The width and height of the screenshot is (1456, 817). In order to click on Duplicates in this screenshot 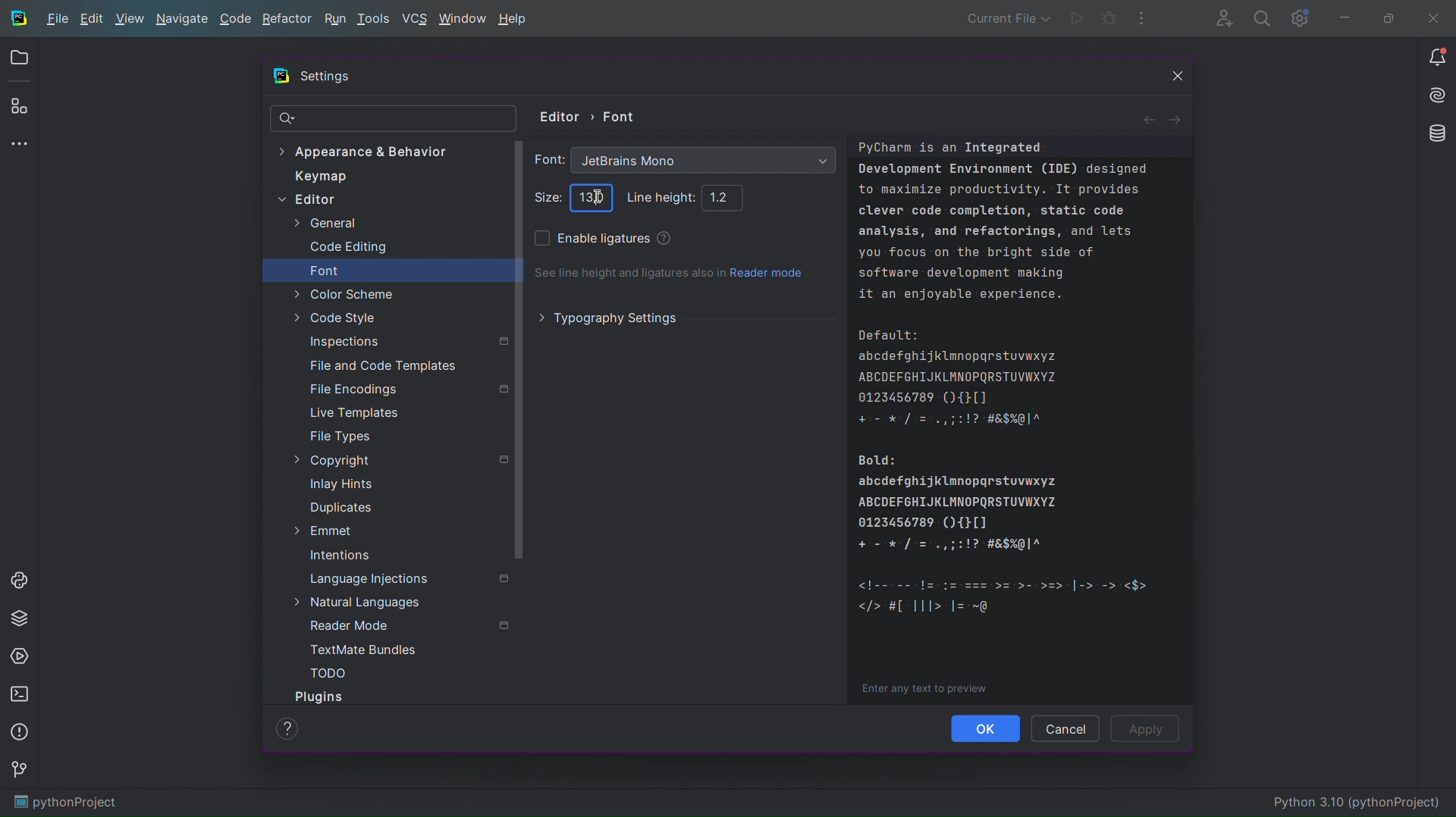, I will do `click(338, 508)`.